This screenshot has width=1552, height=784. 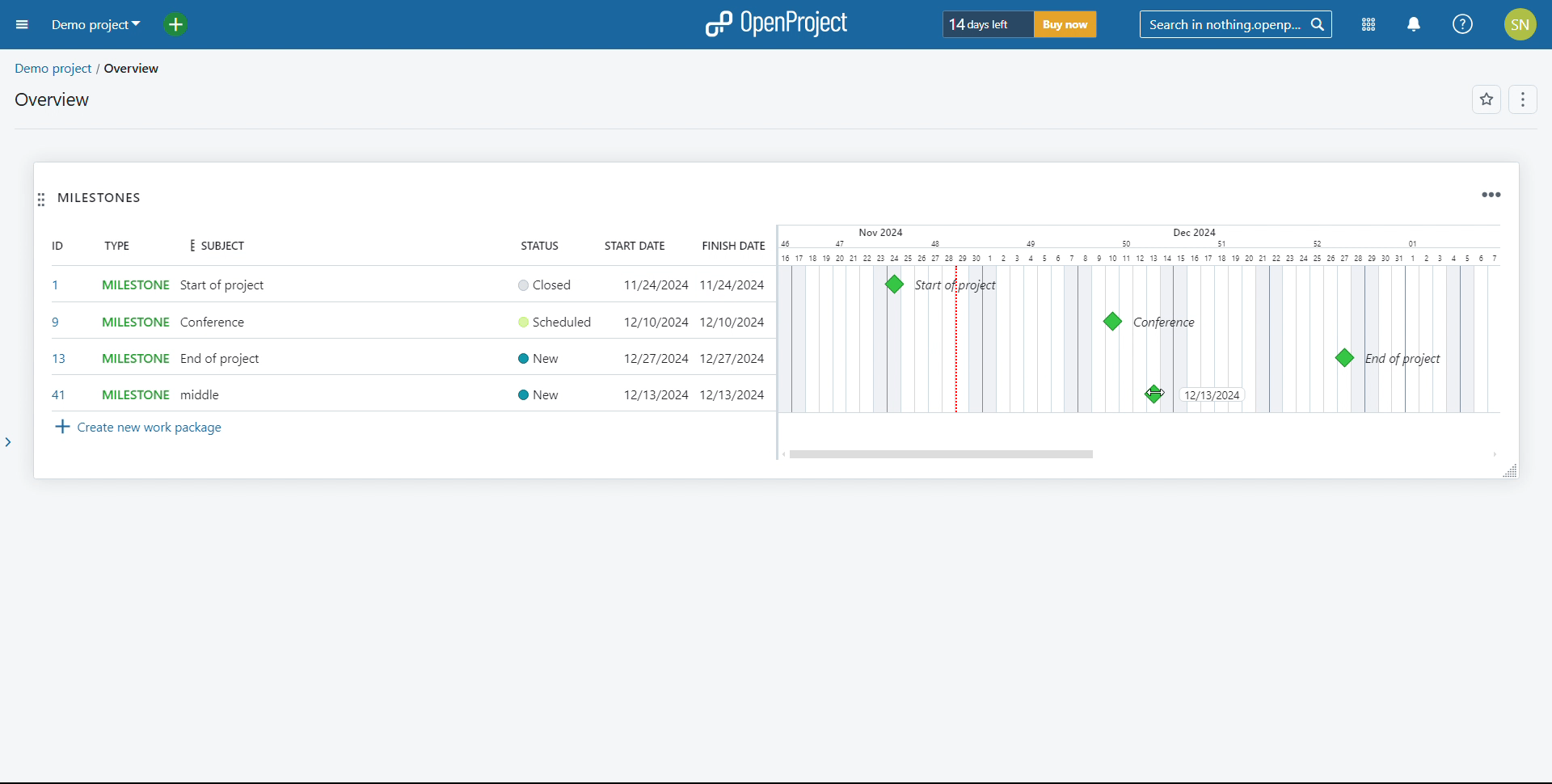 What do you see at coordinates (140, 428) in the screenshot?
I see `create new work package` at bounding box center [140, 428].